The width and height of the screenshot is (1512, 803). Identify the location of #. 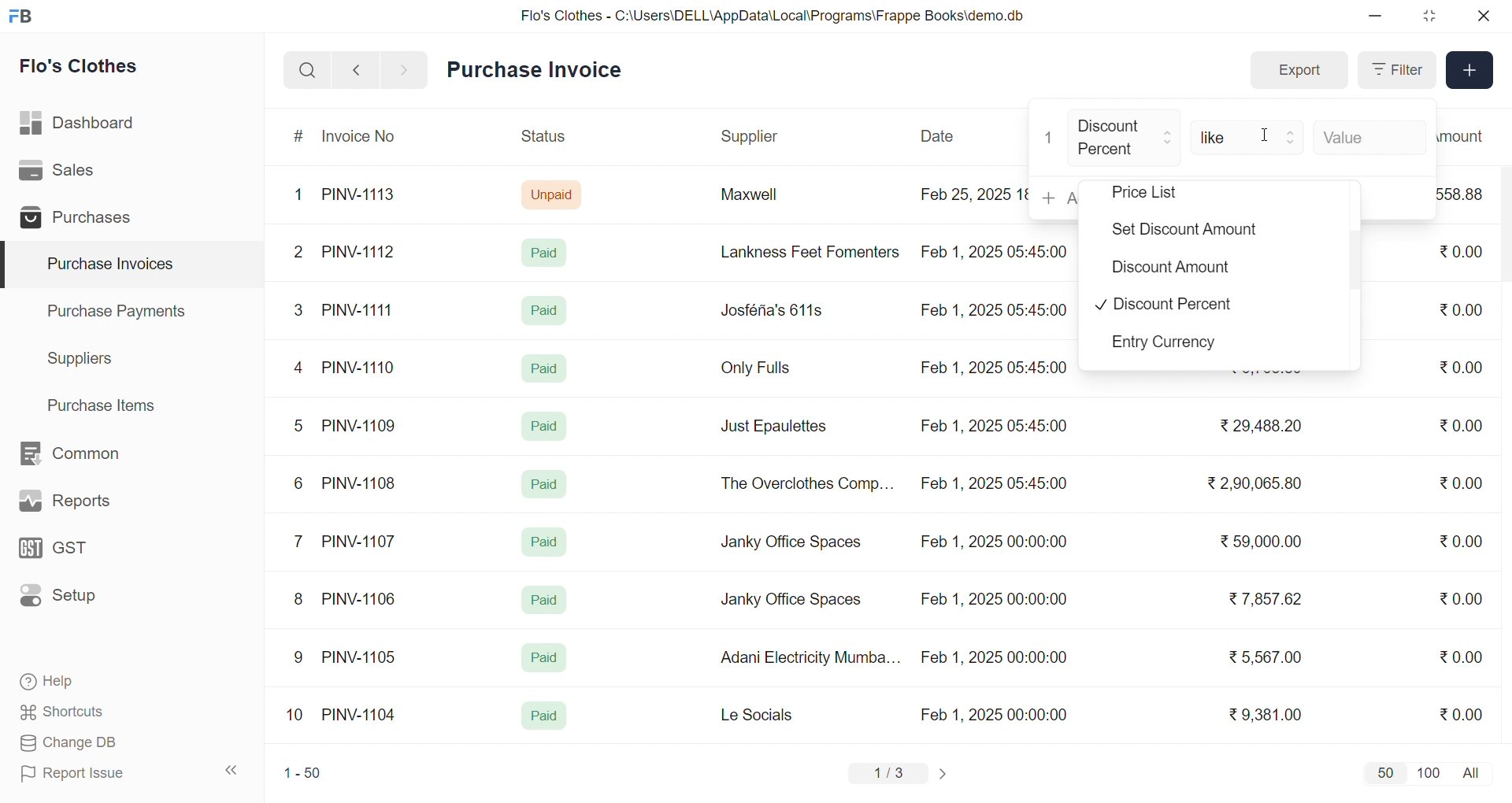
(299, 138).